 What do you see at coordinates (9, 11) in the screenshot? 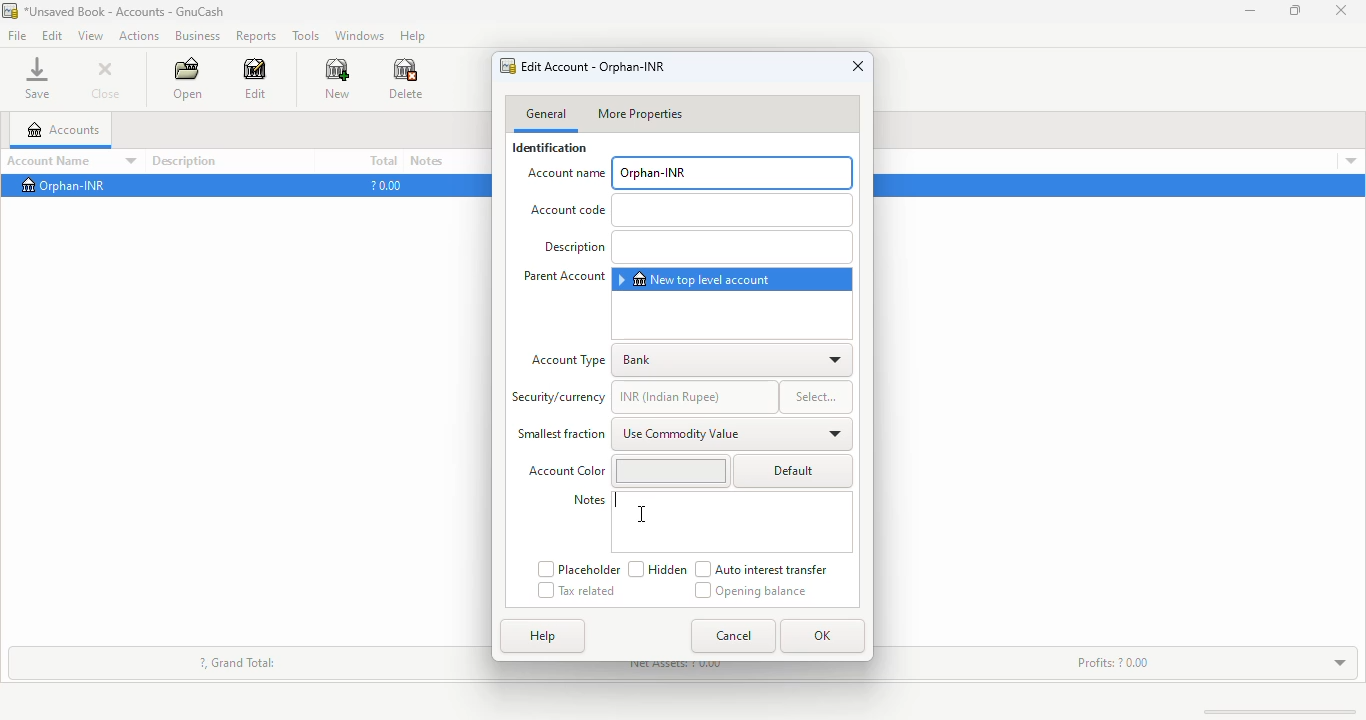
I see `logo` at bounding box center [9, 11].